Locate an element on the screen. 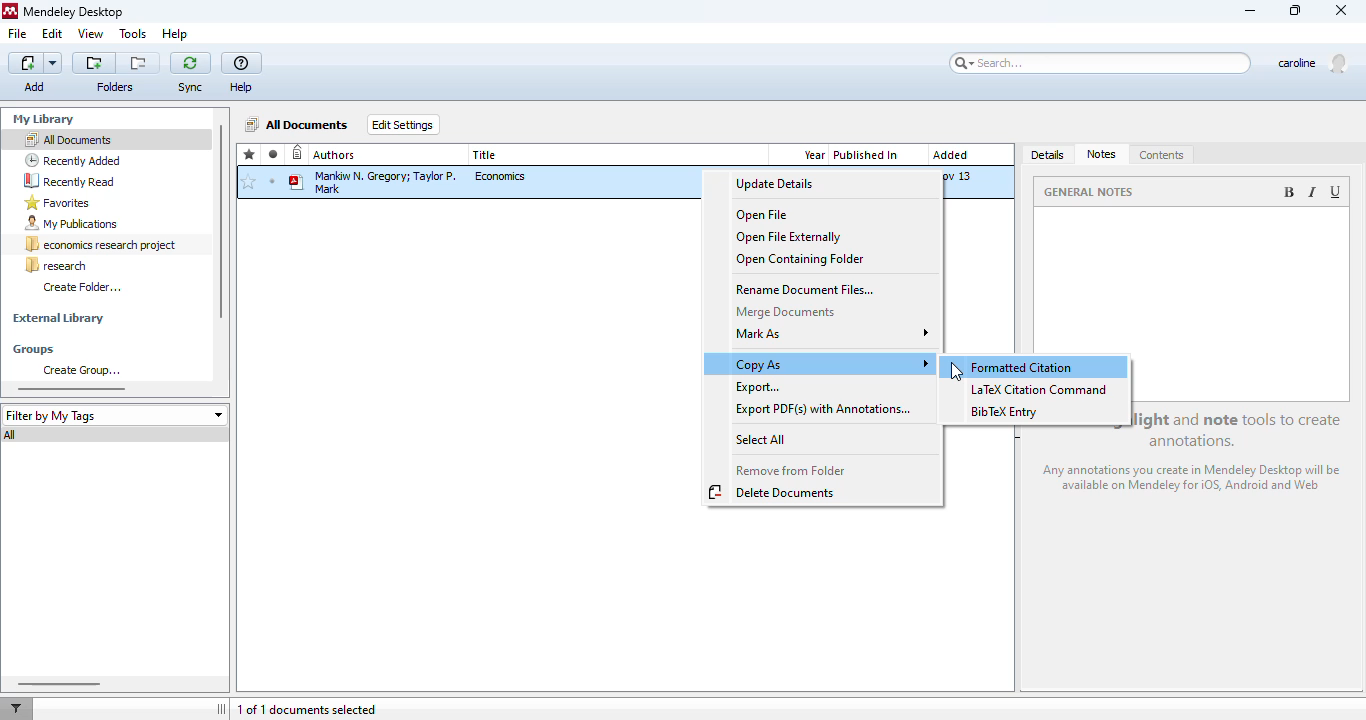 This screenshot has width=1366, height=720. all documents is located at coordinates (298, 124).